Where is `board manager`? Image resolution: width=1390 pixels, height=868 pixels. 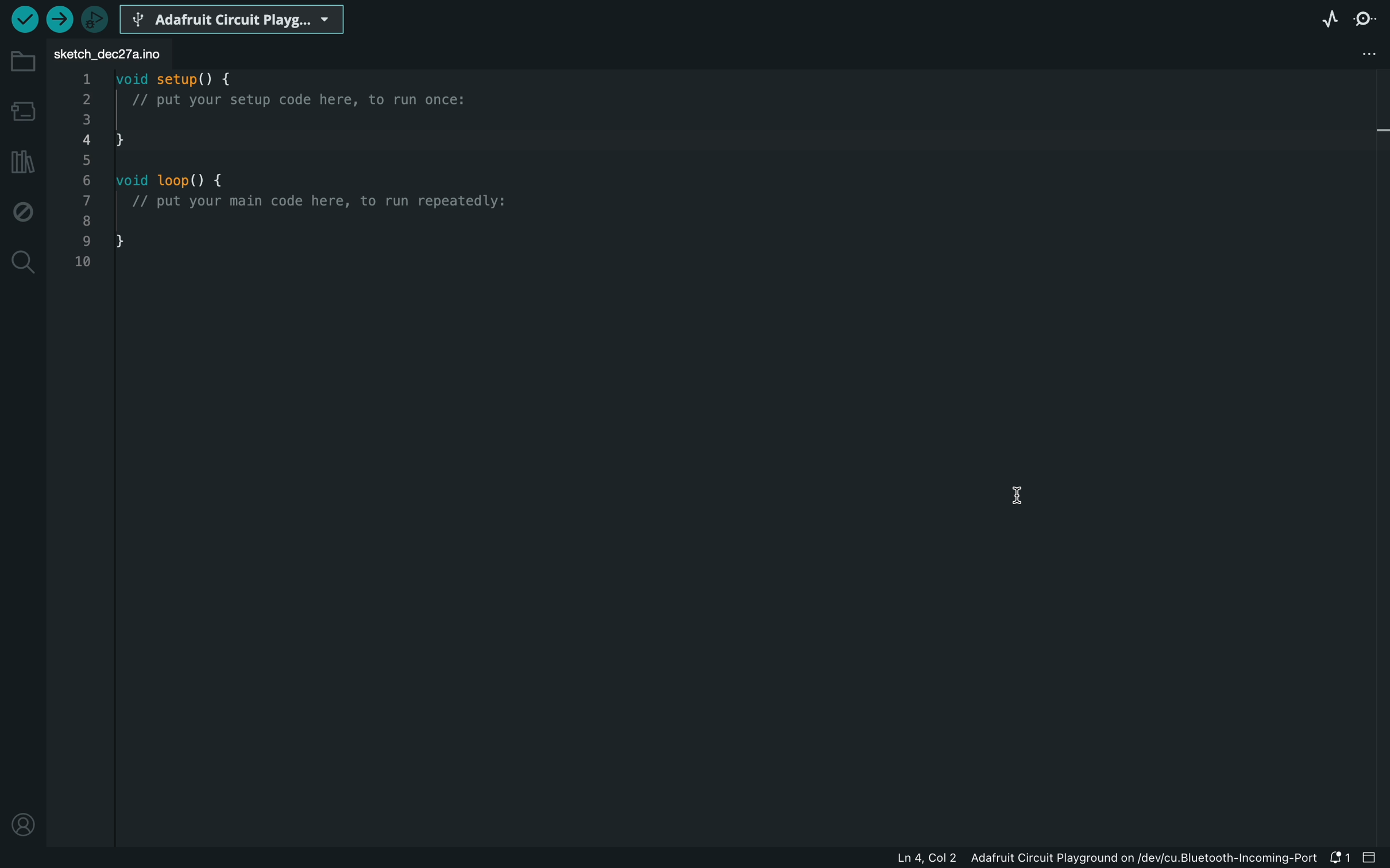
board manager is located at coordinates (23, 110).